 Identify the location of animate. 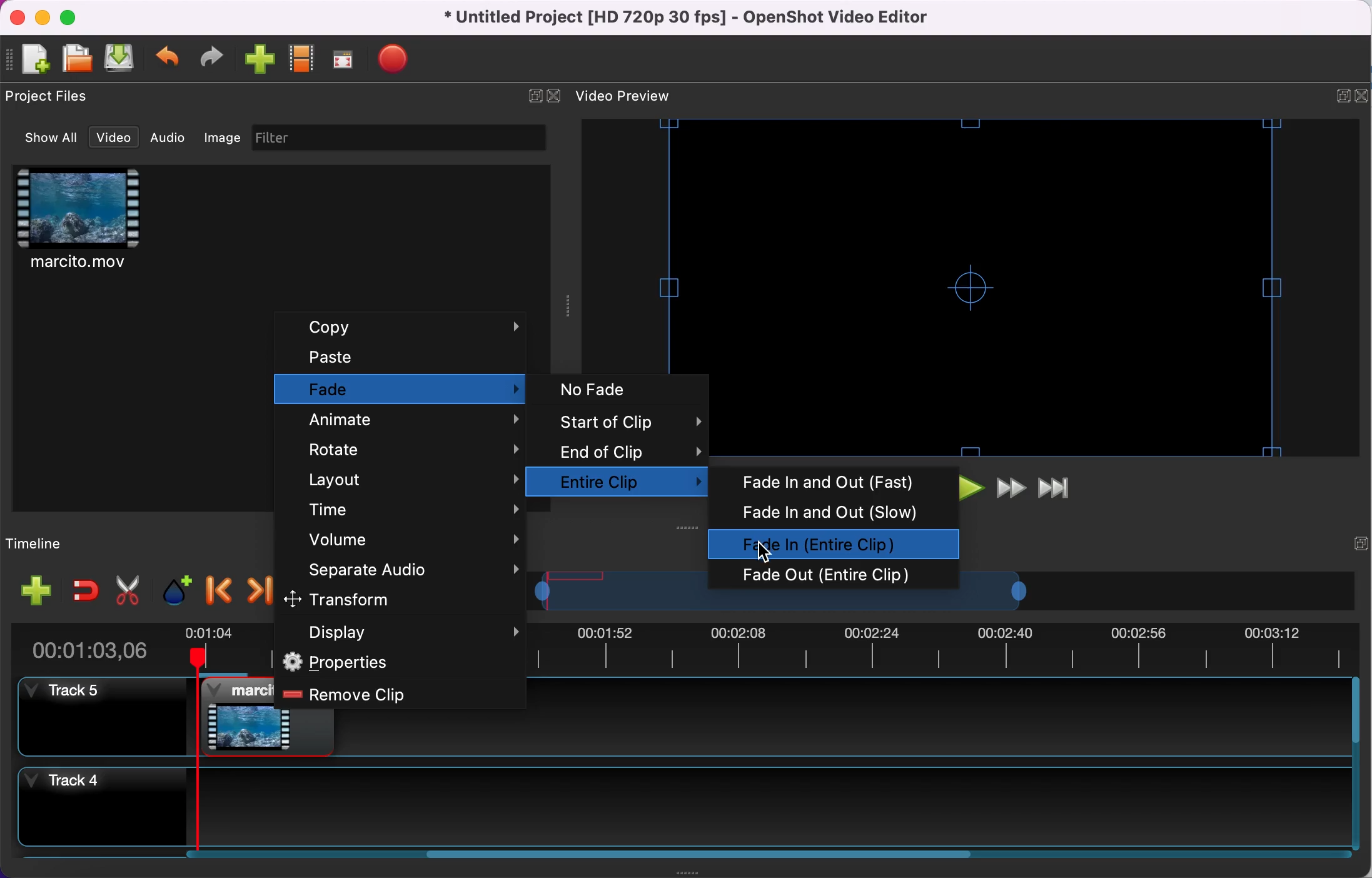
(409, 423).